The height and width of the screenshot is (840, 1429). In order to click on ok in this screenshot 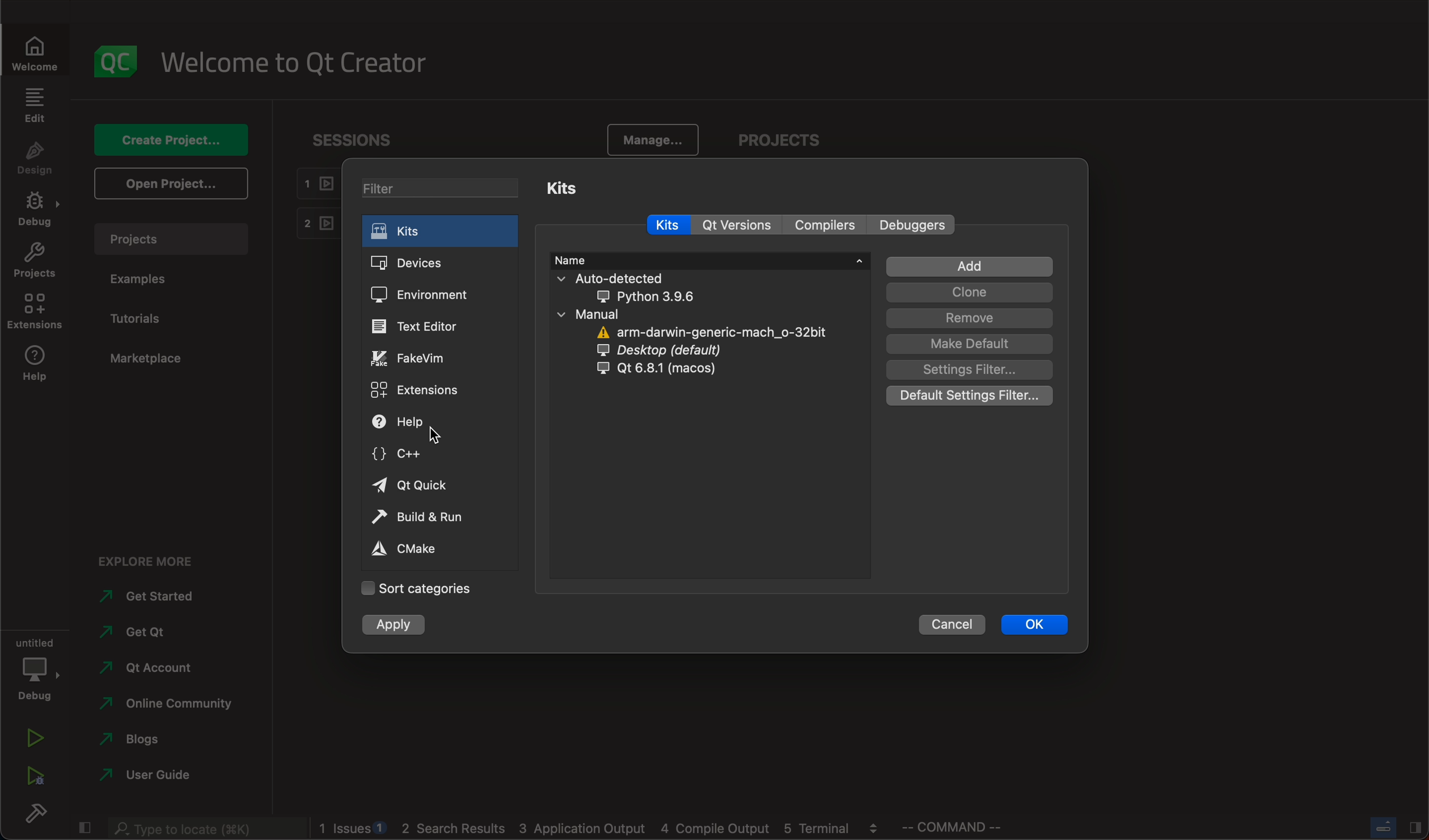, I will do `click(1033, 625)`.